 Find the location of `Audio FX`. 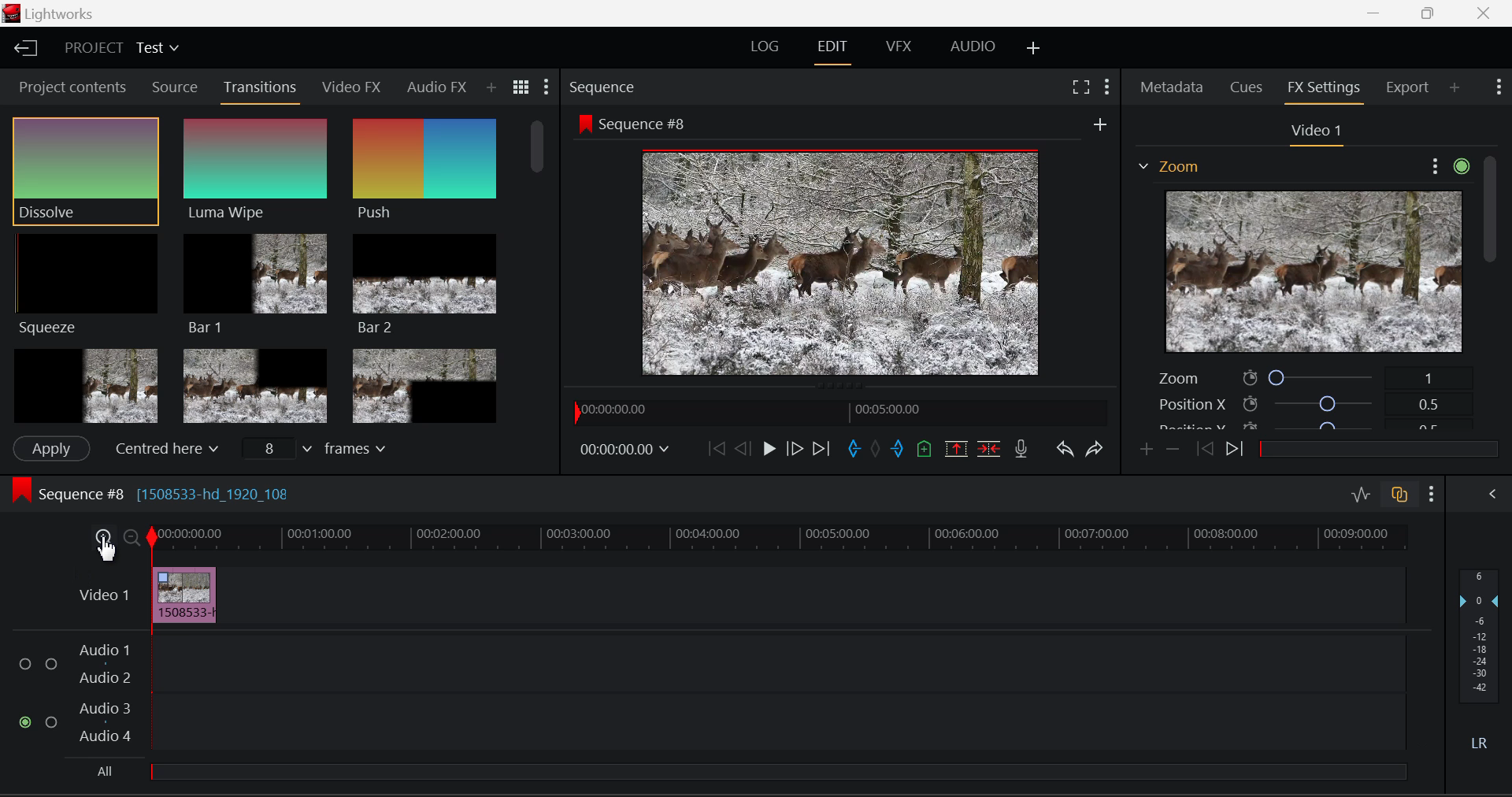

Audio FX is located at coordinates (438, 87).